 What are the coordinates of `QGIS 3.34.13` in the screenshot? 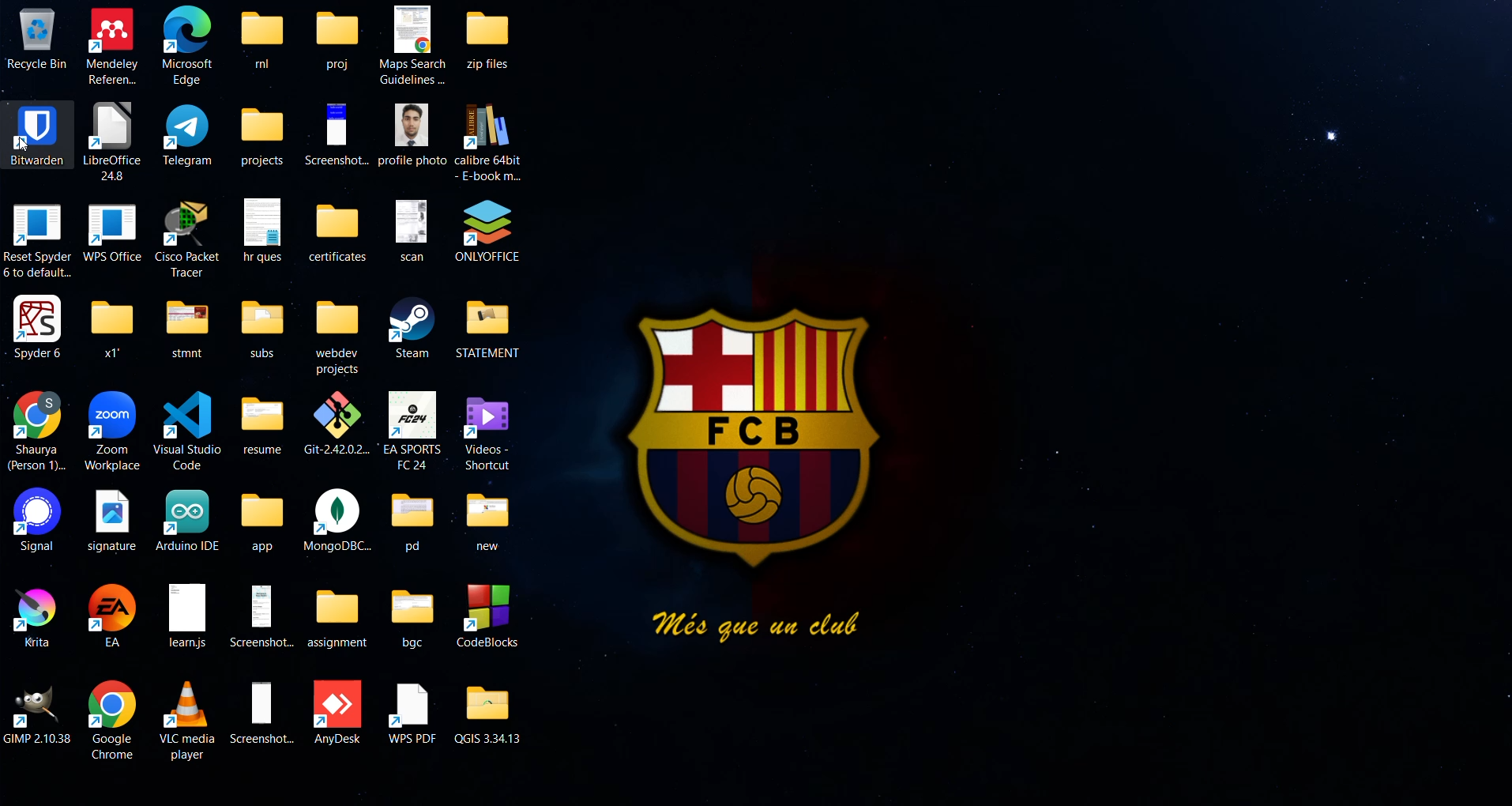 It's located at (491, 713).